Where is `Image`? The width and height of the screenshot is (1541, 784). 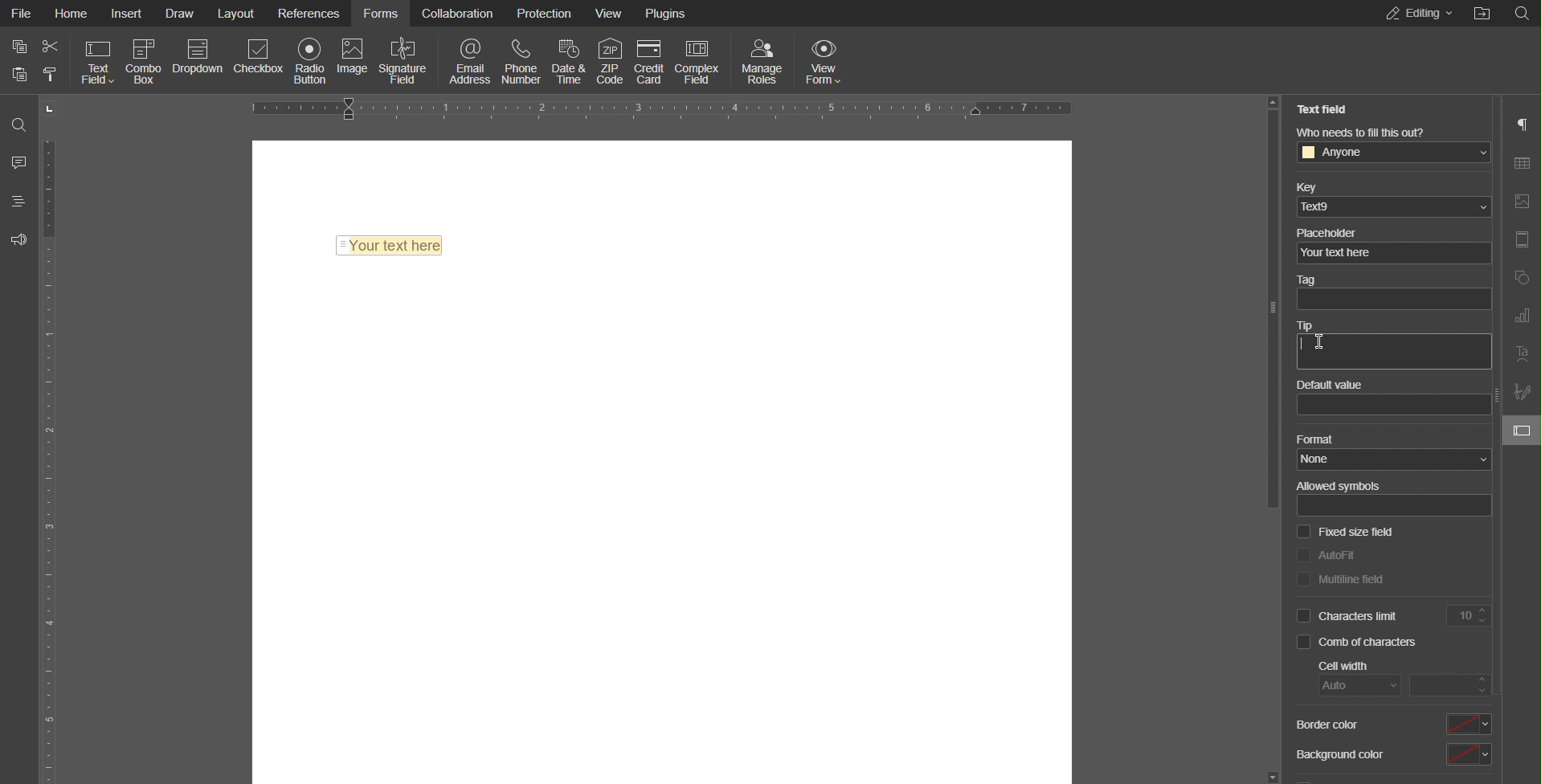
Image is located at coordinates (354, 59).